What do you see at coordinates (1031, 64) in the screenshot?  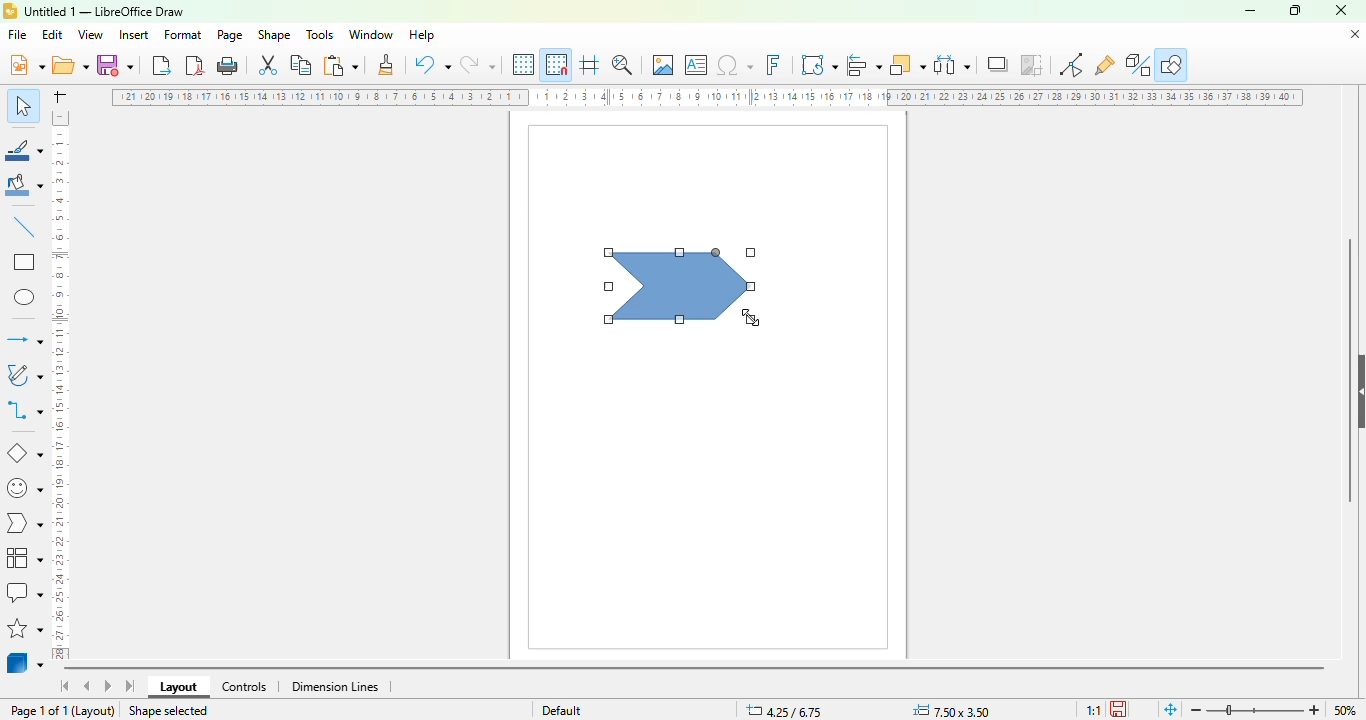 I see `crop image` at bounding box center [1031, 64].